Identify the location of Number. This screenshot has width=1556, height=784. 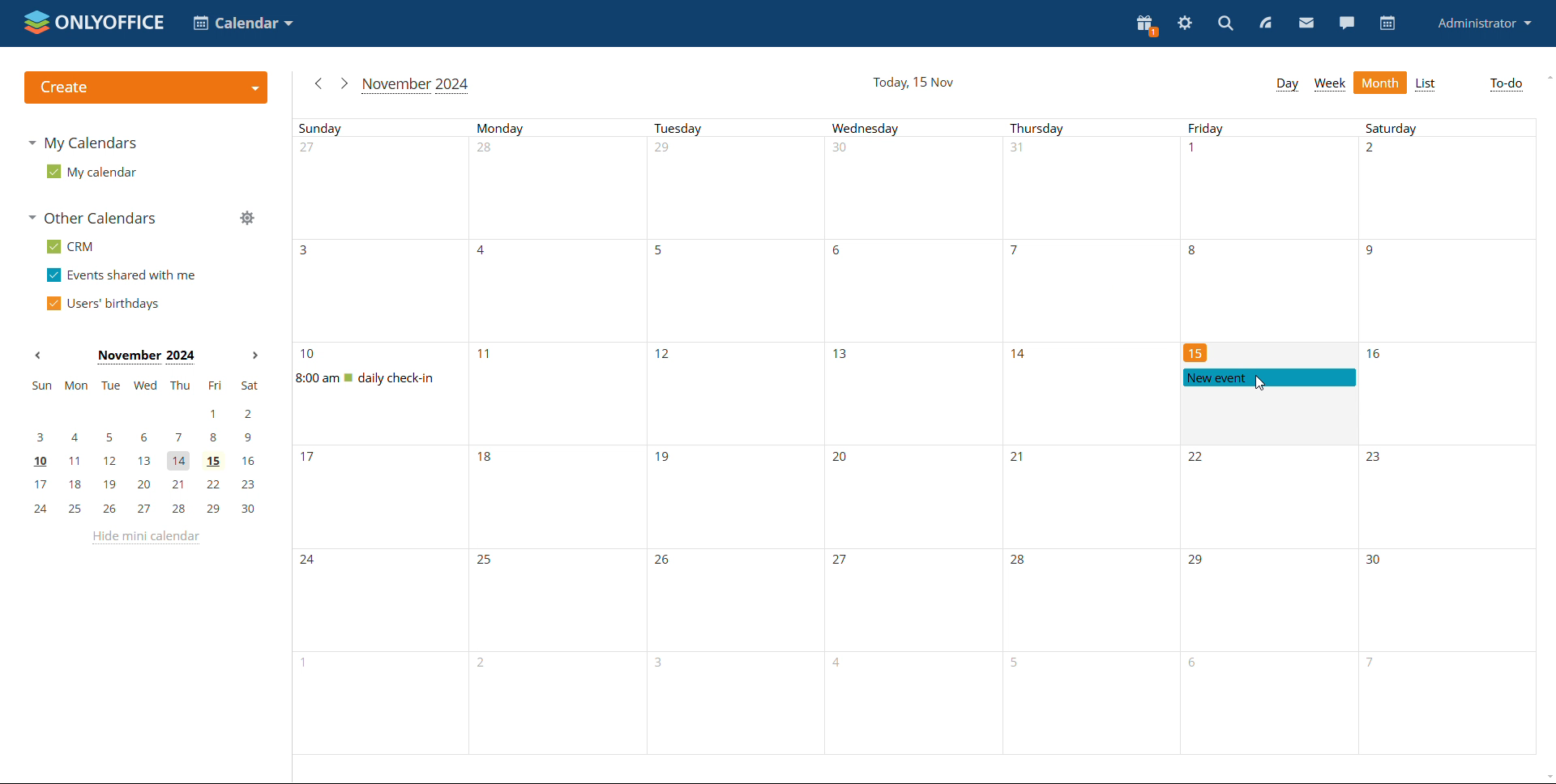
(663, 458).